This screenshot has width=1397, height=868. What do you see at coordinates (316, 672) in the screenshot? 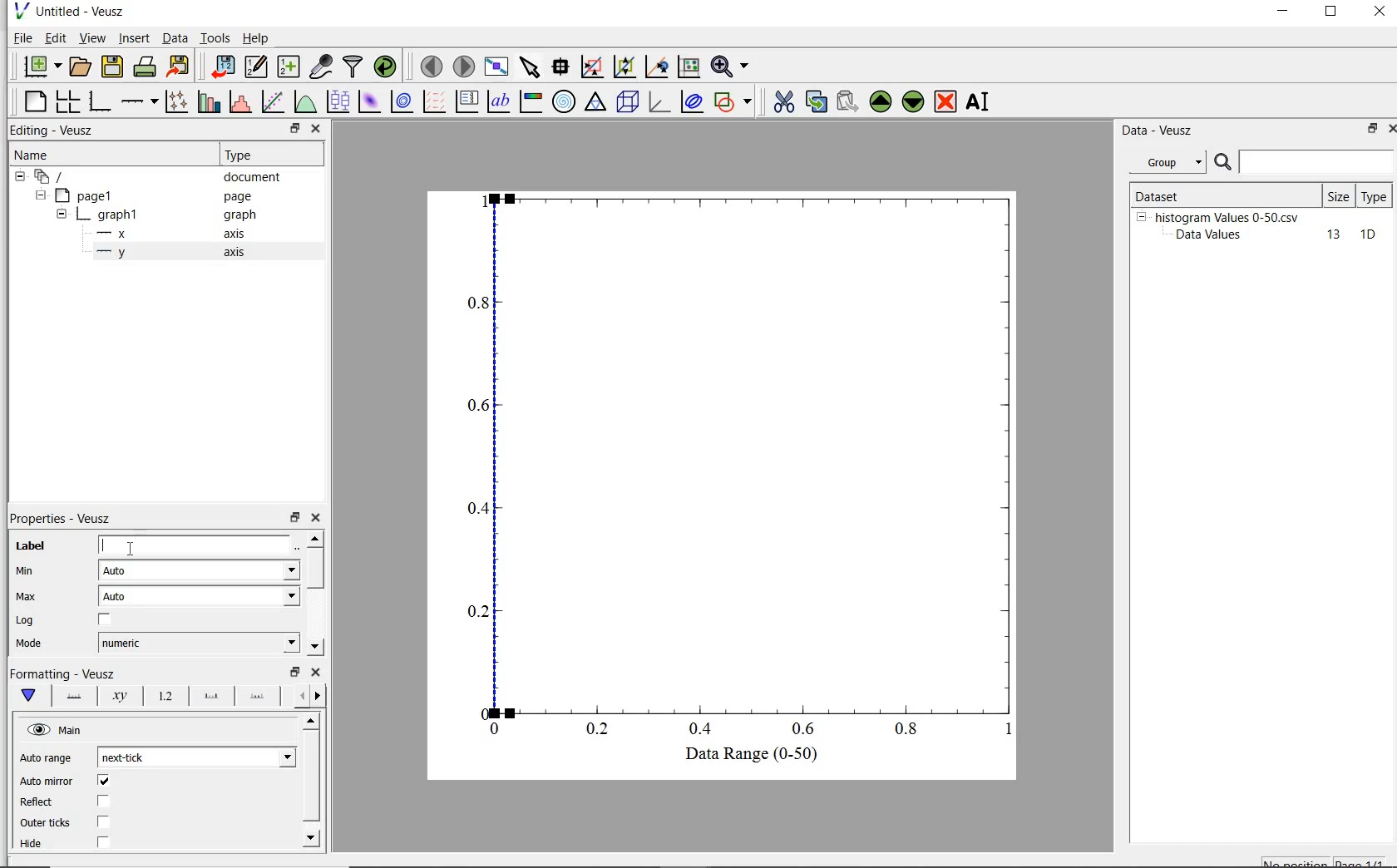
I see `close` at bounding box center [316, 672].